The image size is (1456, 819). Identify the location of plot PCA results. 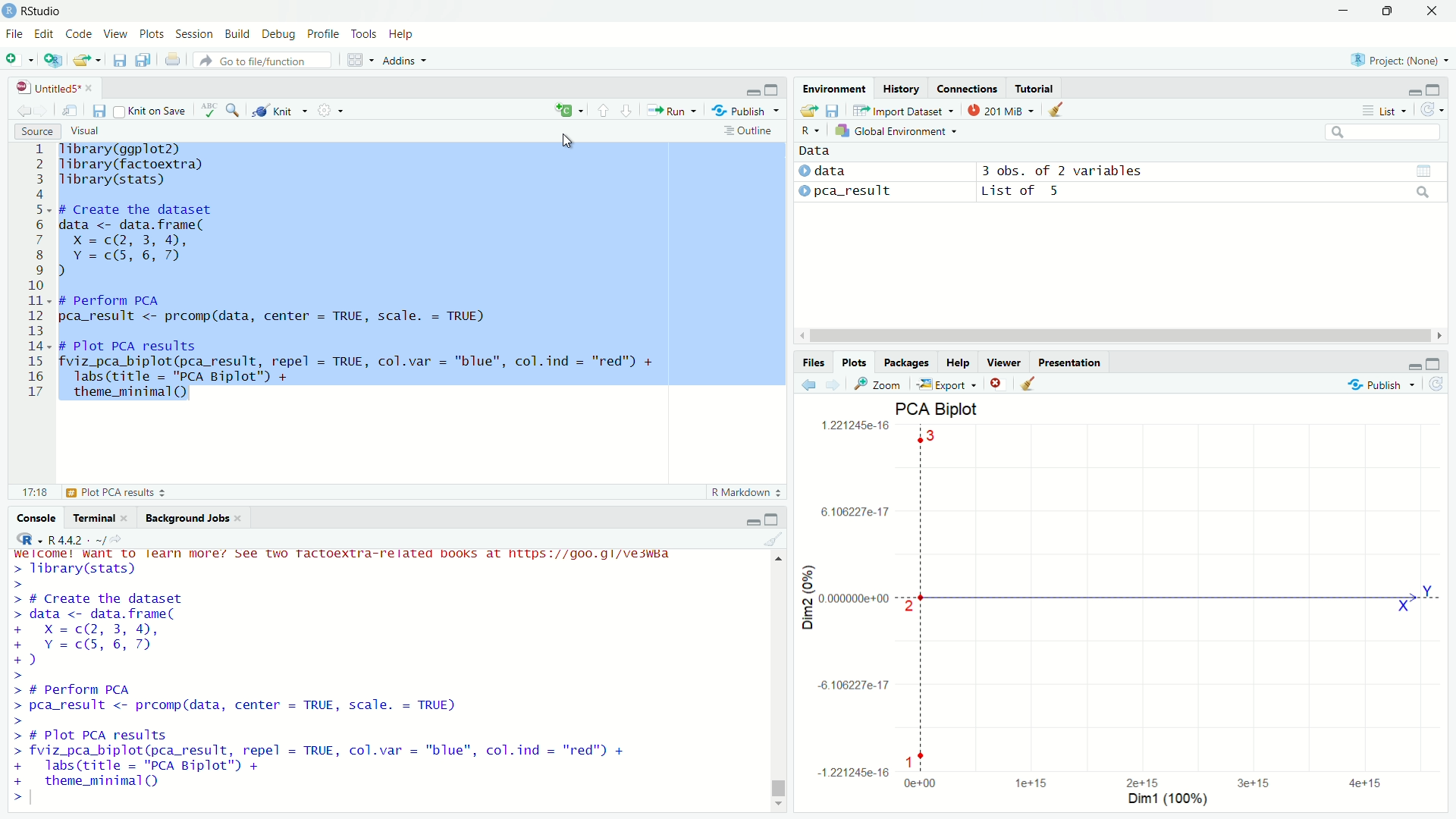
(89, 492).